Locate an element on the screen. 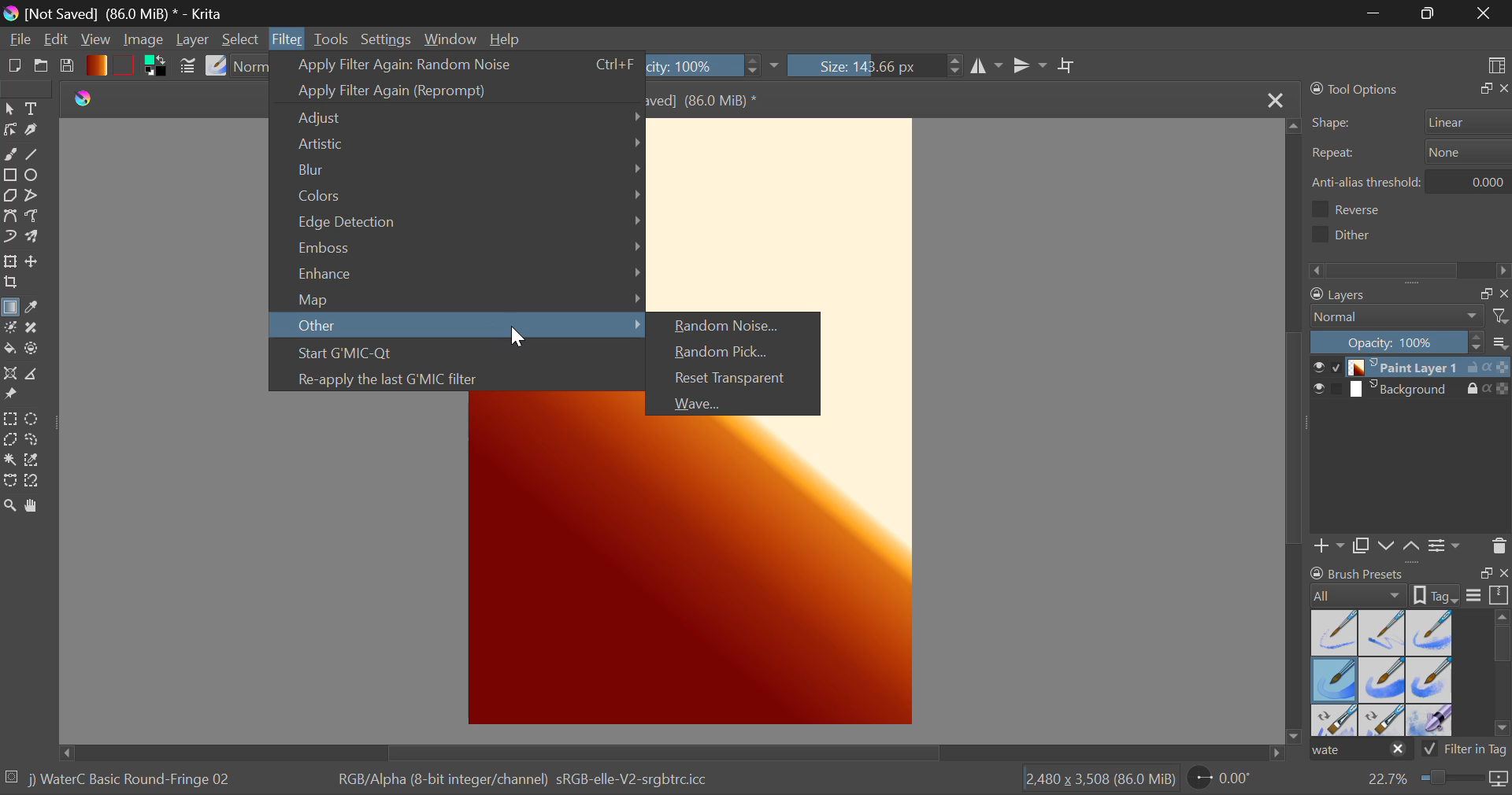 The image size is (1512, 795). color scale is located at coordinates (1503, 391).